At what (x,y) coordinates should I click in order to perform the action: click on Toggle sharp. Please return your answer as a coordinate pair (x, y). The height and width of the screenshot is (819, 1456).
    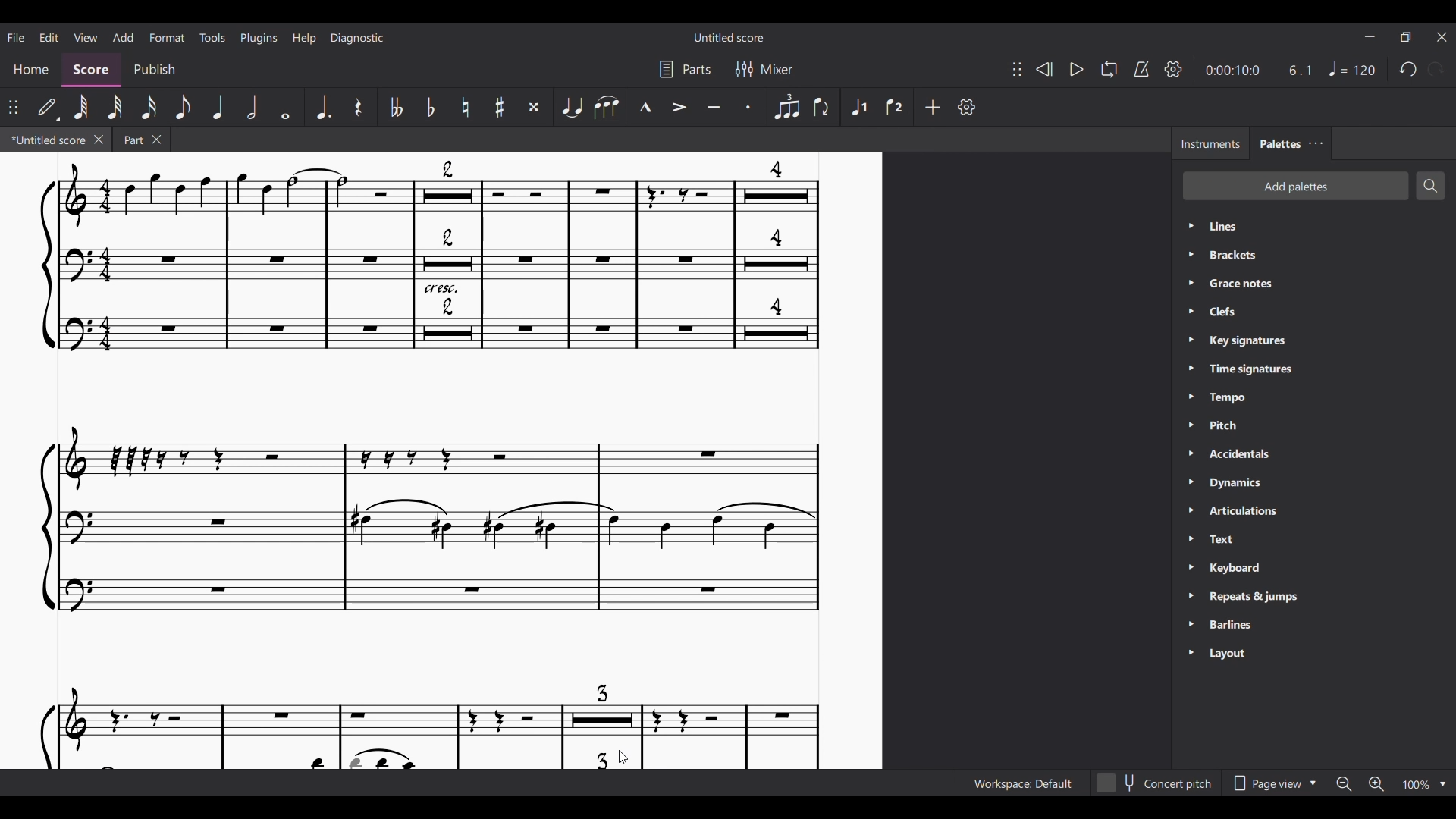
    Looking at the image, I should click on (500, 107).